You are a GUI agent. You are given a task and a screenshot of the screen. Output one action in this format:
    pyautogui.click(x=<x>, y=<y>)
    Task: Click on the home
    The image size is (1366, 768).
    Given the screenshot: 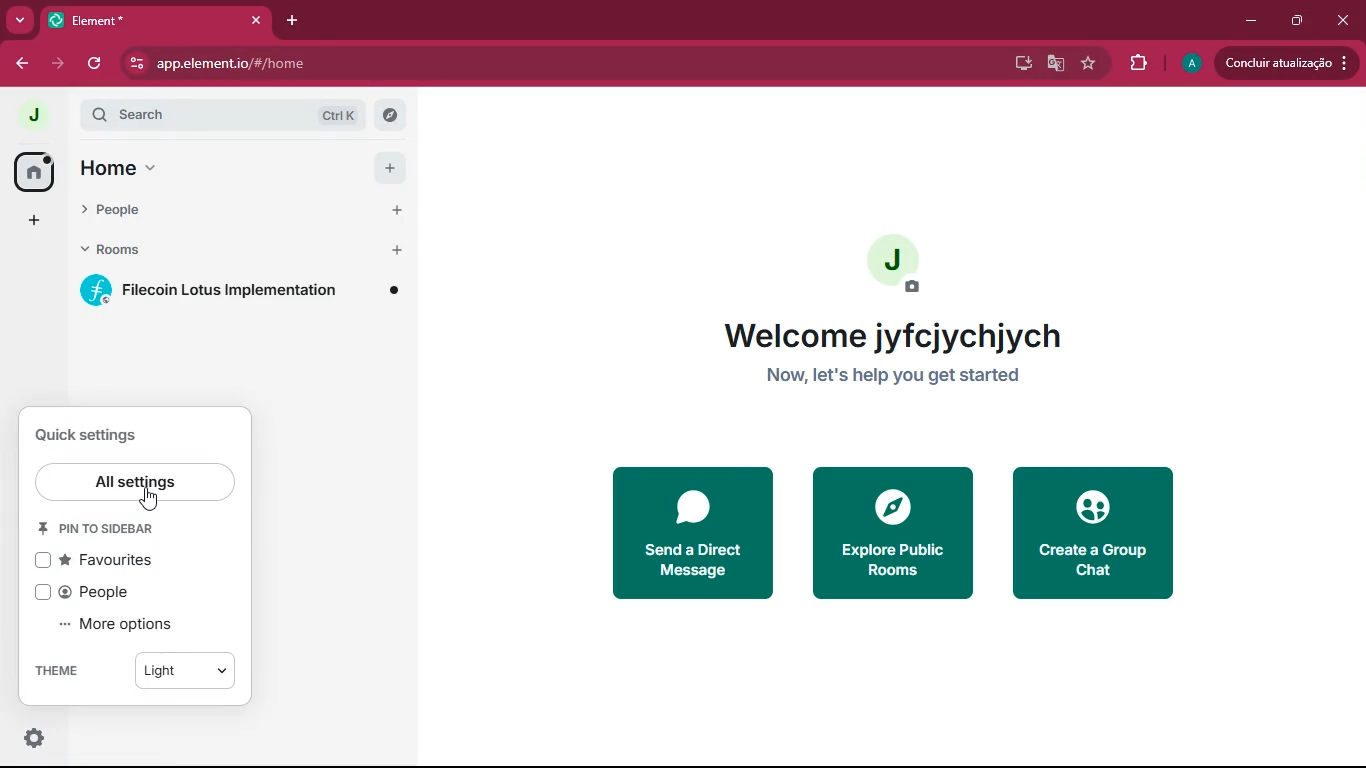 What is the action you would take?
    pyautogui.click(x=34, y=170)
    